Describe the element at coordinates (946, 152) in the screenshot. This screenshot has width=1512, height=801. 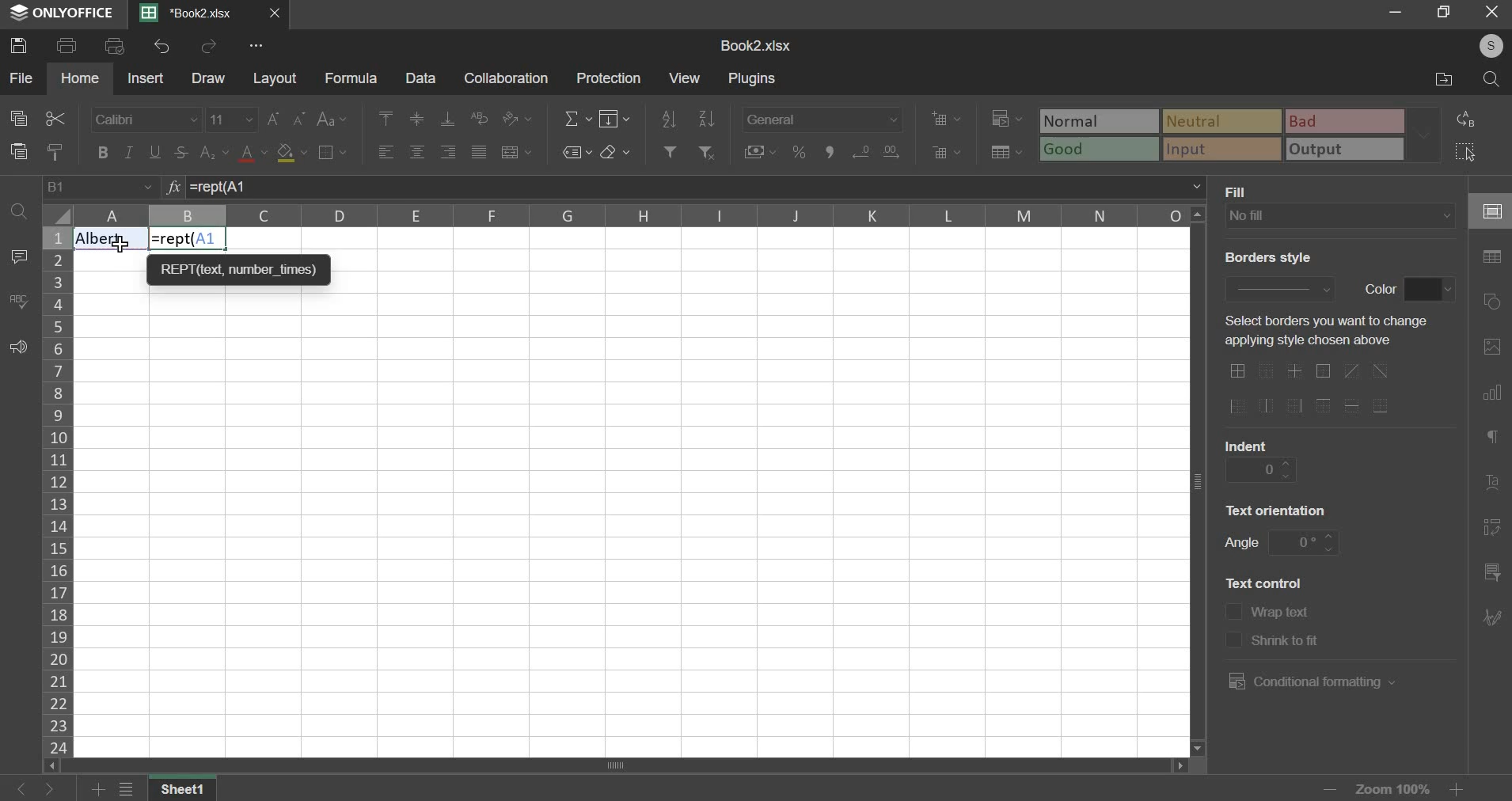
I see `delete cells` at that location.